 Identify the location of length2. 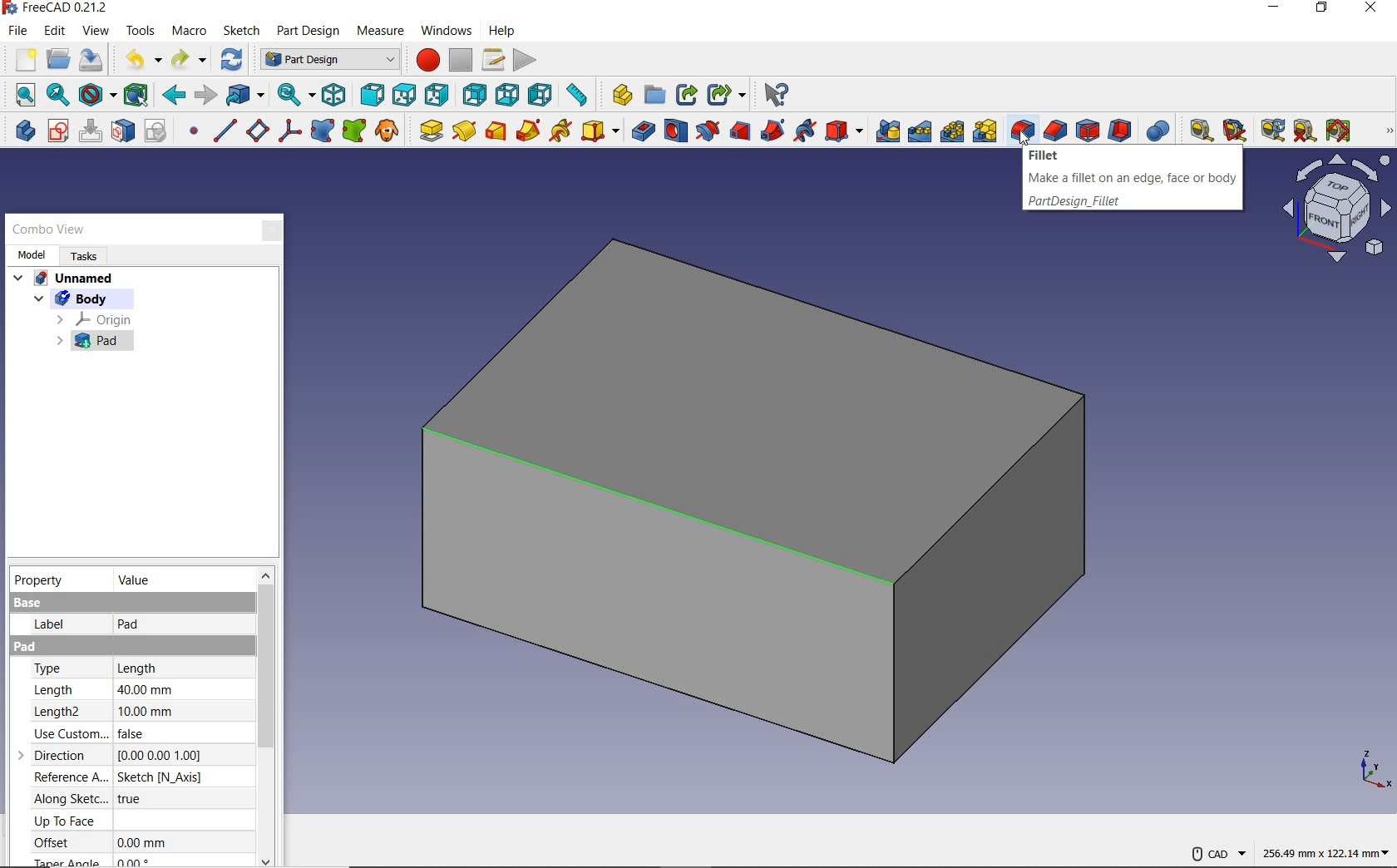
(61, 712).